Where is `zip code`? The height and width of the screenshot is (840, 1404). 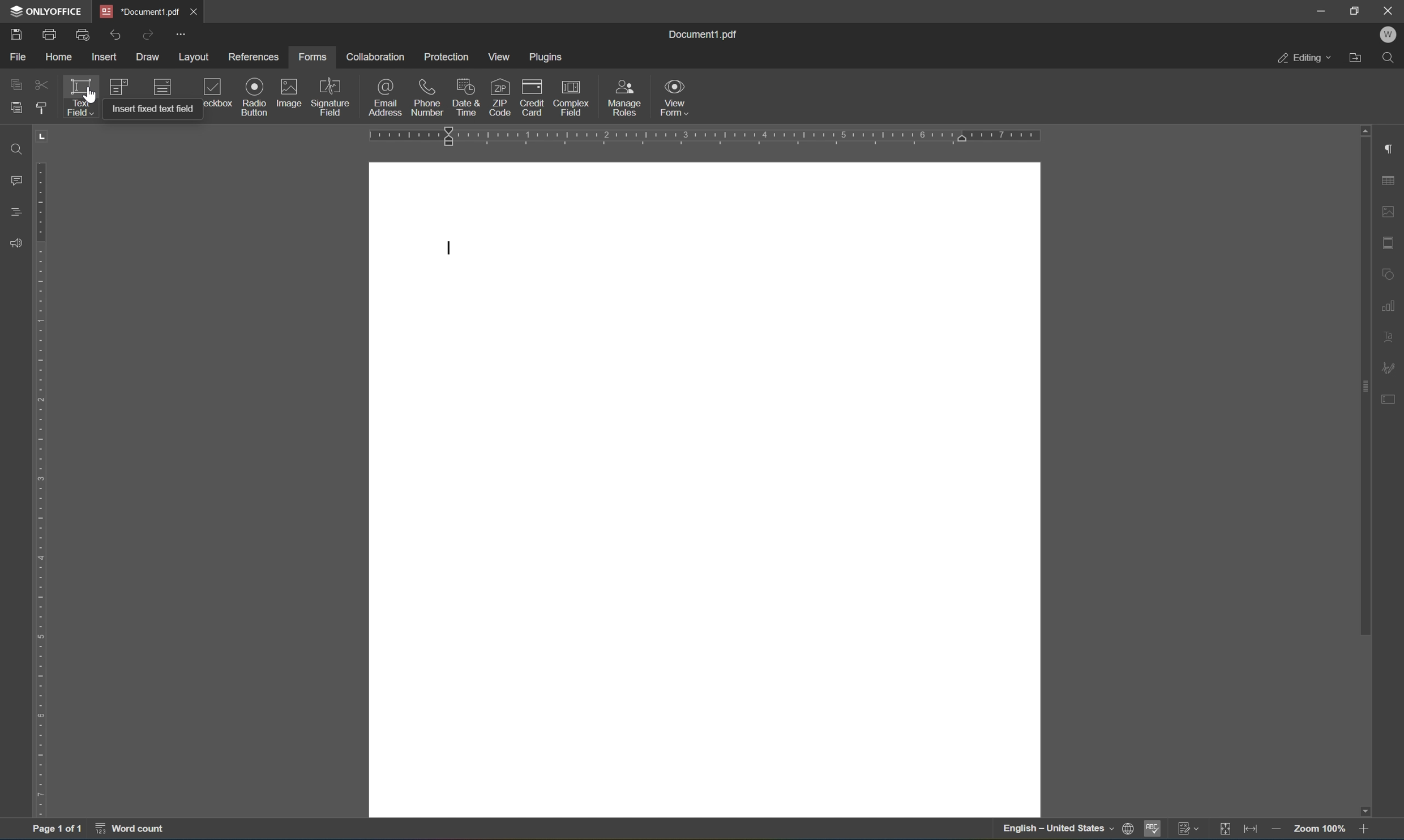
zip code is located at coordinates (499, 97).